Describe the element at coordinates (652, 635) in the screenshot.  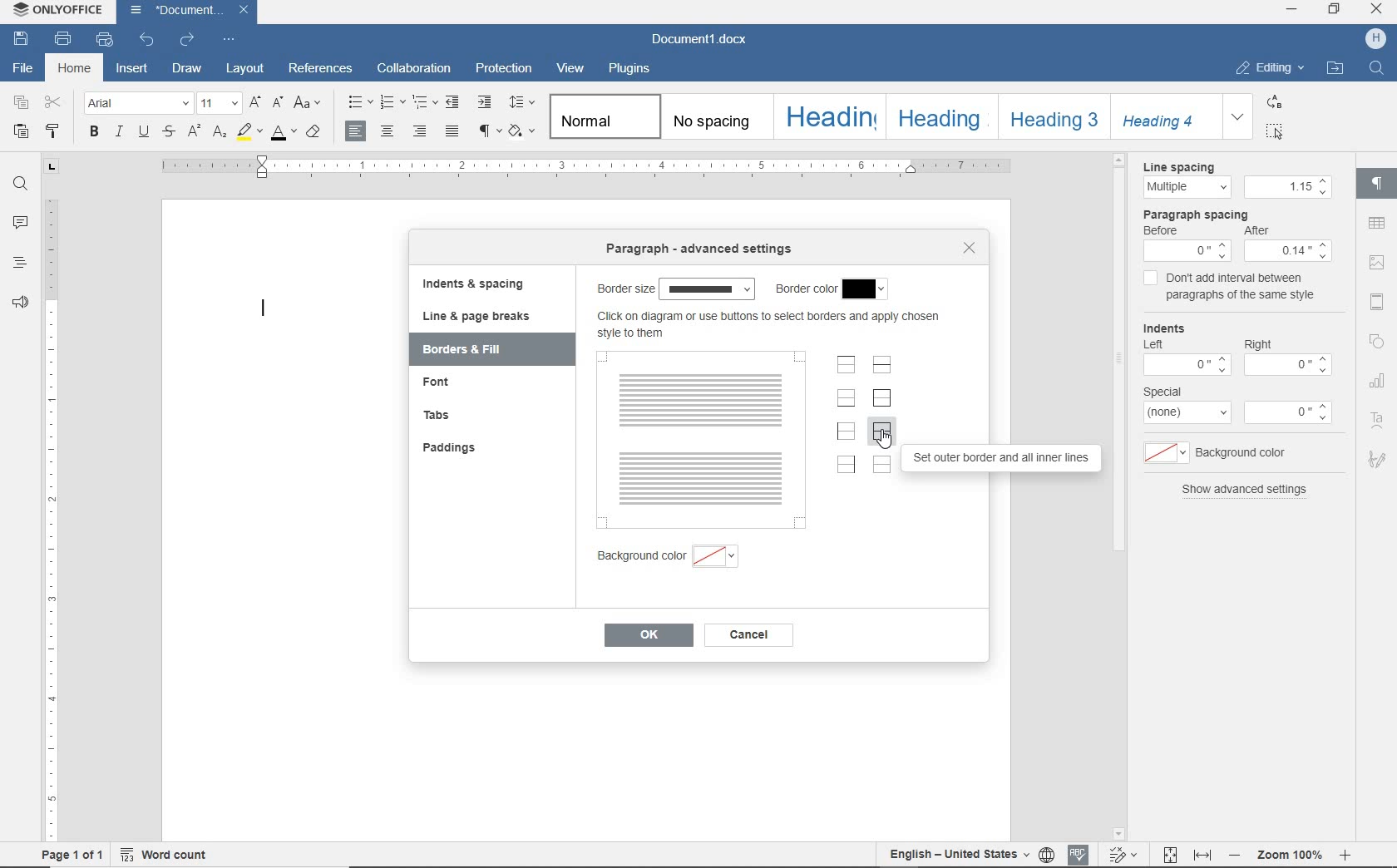
I see `ok` at that location.